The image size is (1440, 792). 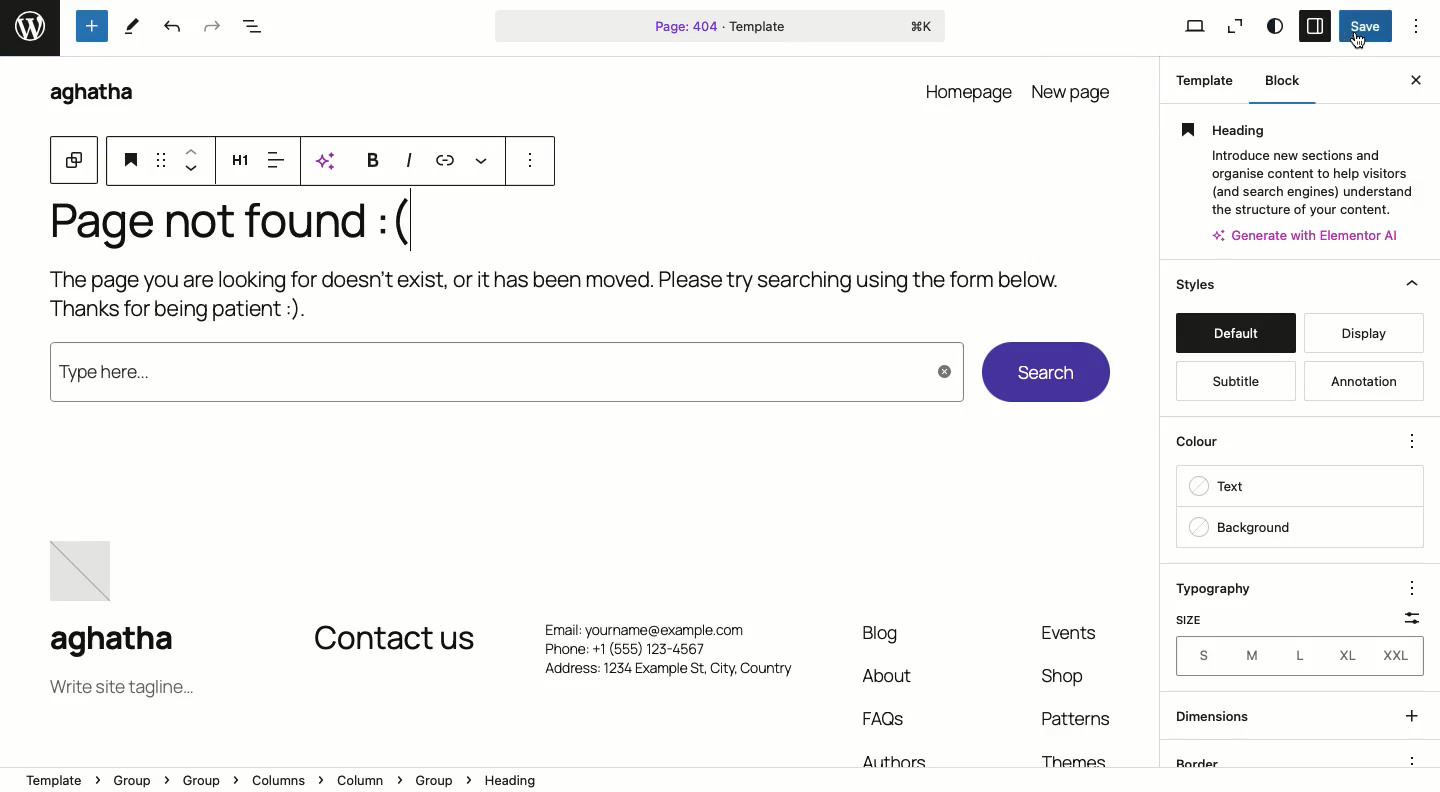 I want to click on shop, so click(x=1060, y=676).